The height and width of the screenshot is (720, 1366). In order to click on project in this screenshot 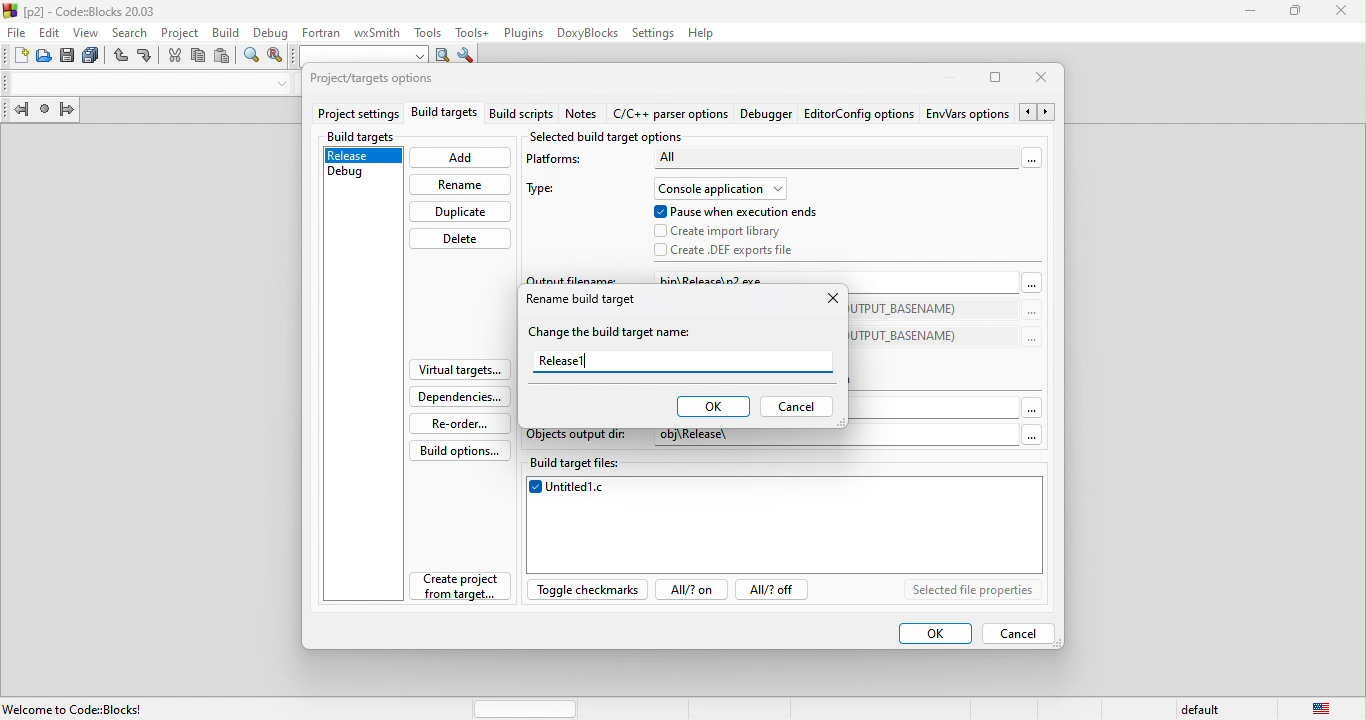, I will do `click(179, 31)`.